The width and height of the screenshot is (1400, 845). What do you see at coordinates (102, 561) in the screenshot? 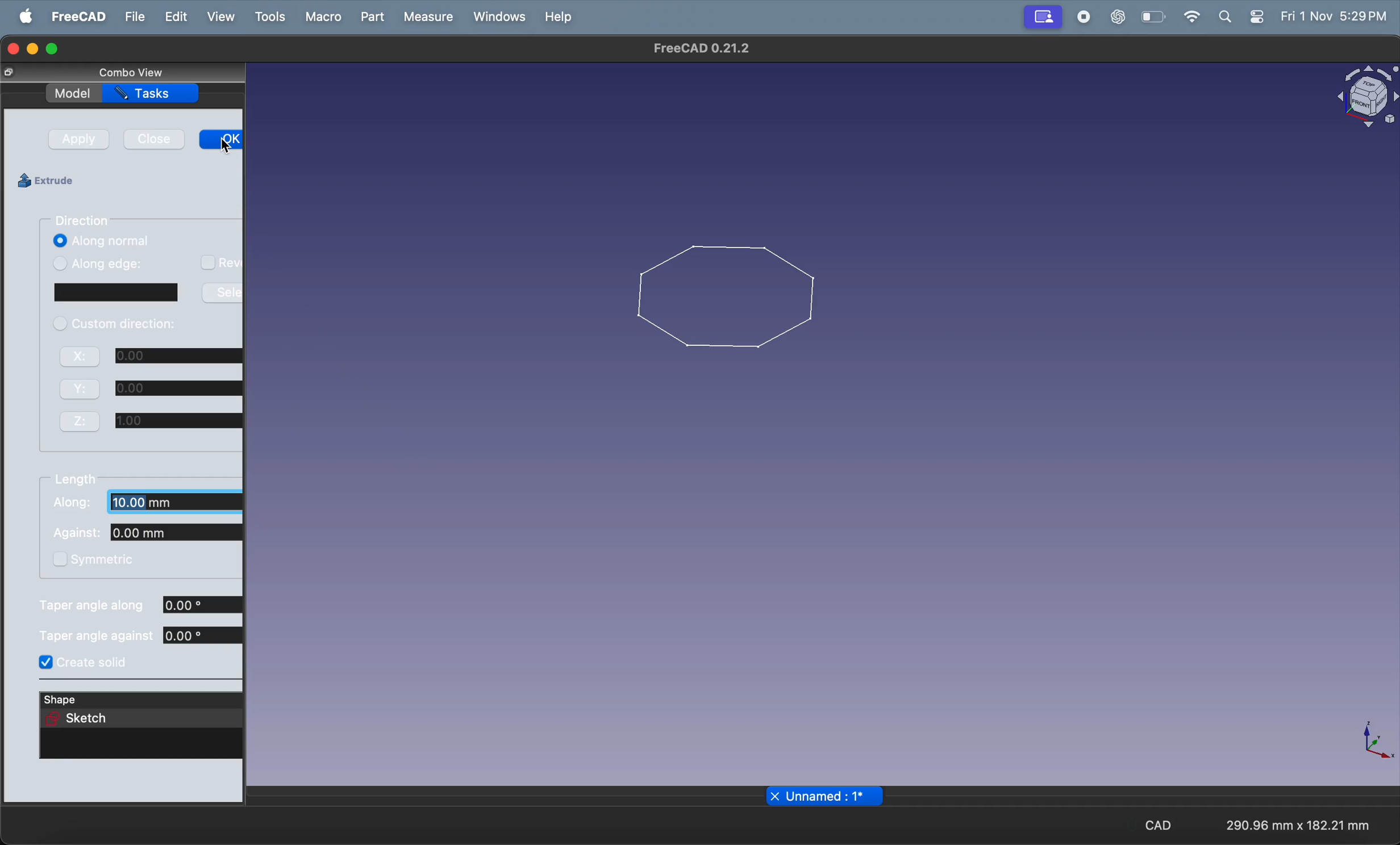
I see `symmetric` at bounding box center [102, 561].